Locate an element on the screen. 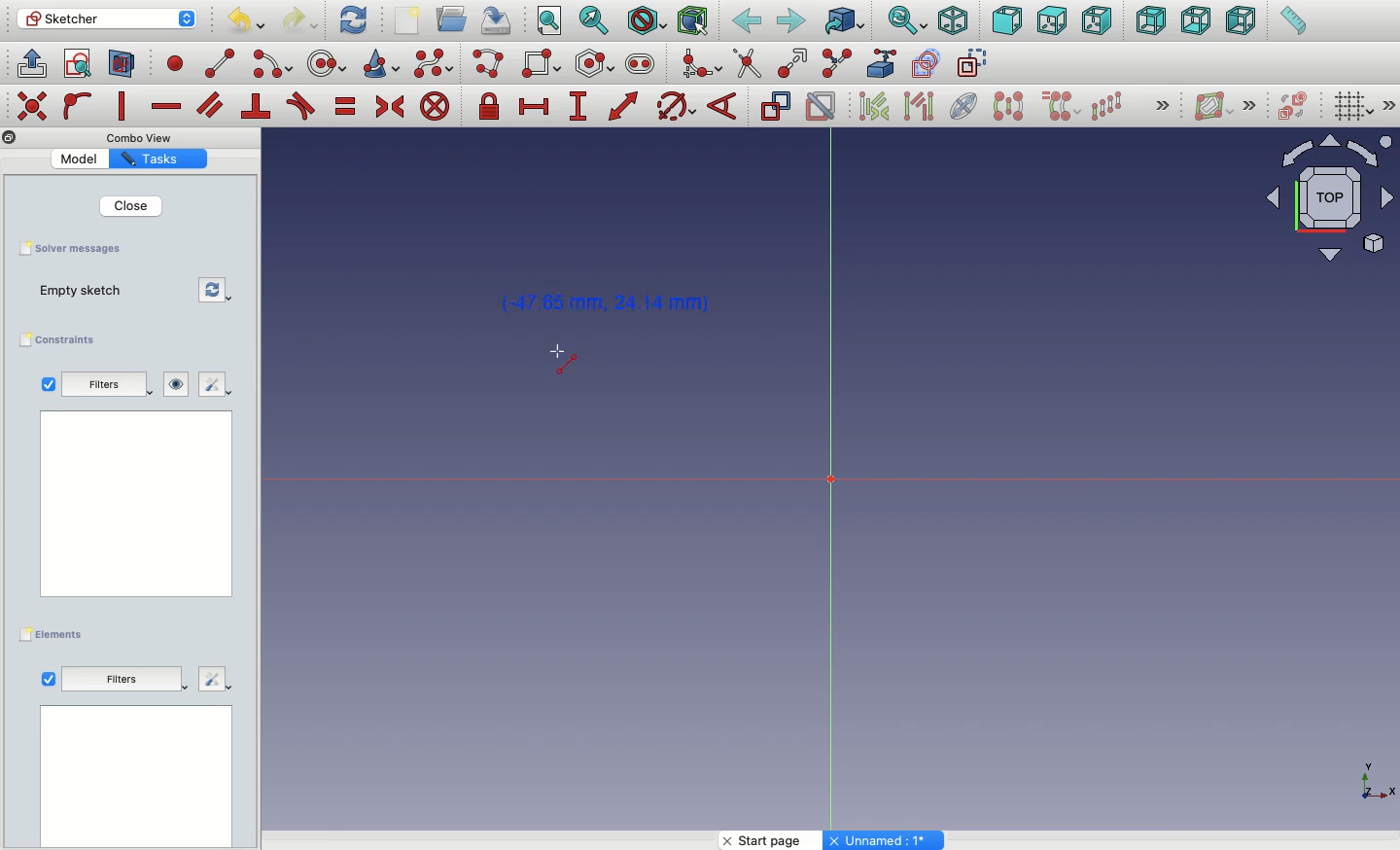  View section is located at coordinates (122, 65).